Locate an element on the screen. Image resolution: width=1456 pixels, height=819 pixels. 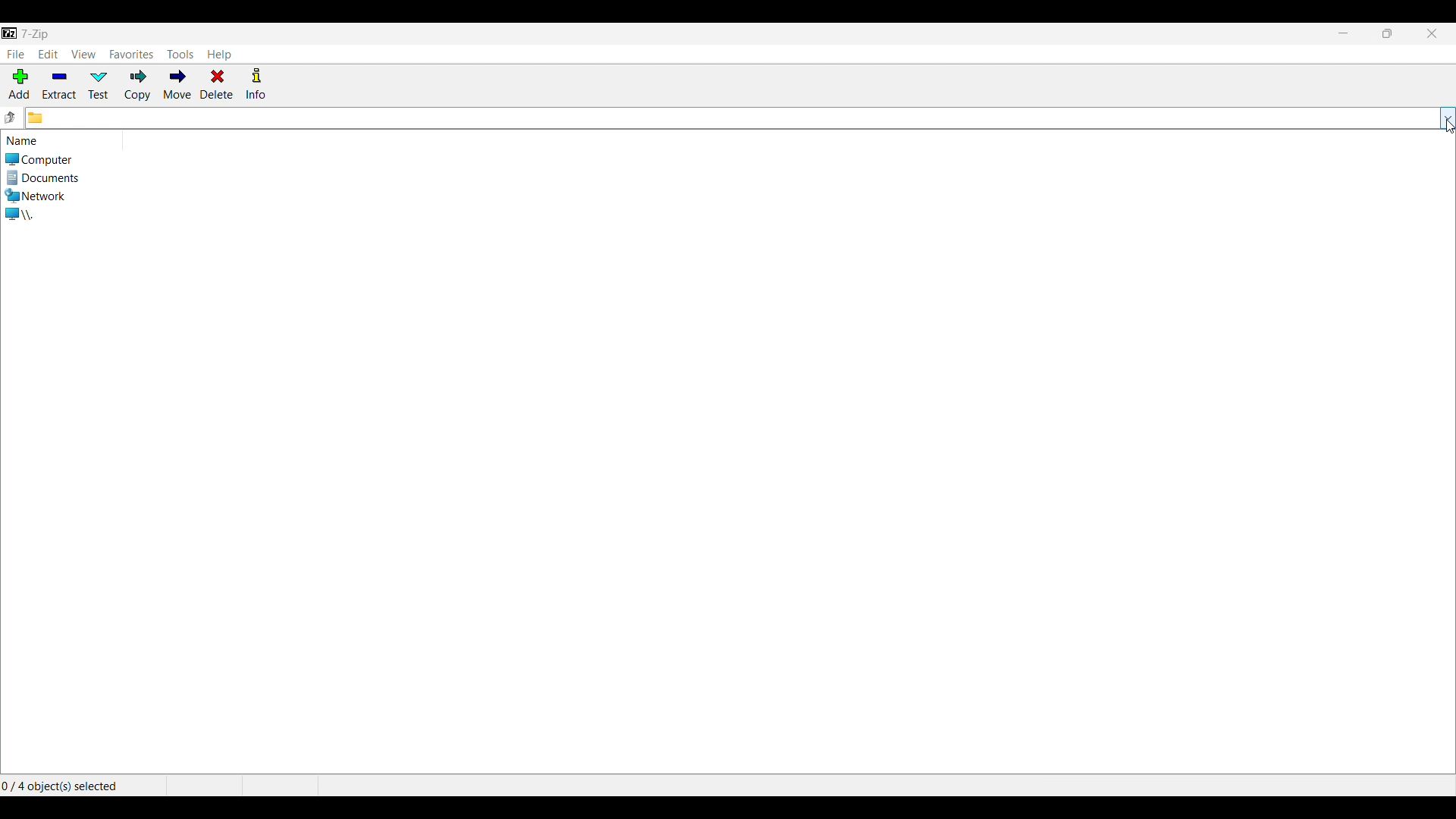
Internal and external directories is located at coordinates (30, 215).